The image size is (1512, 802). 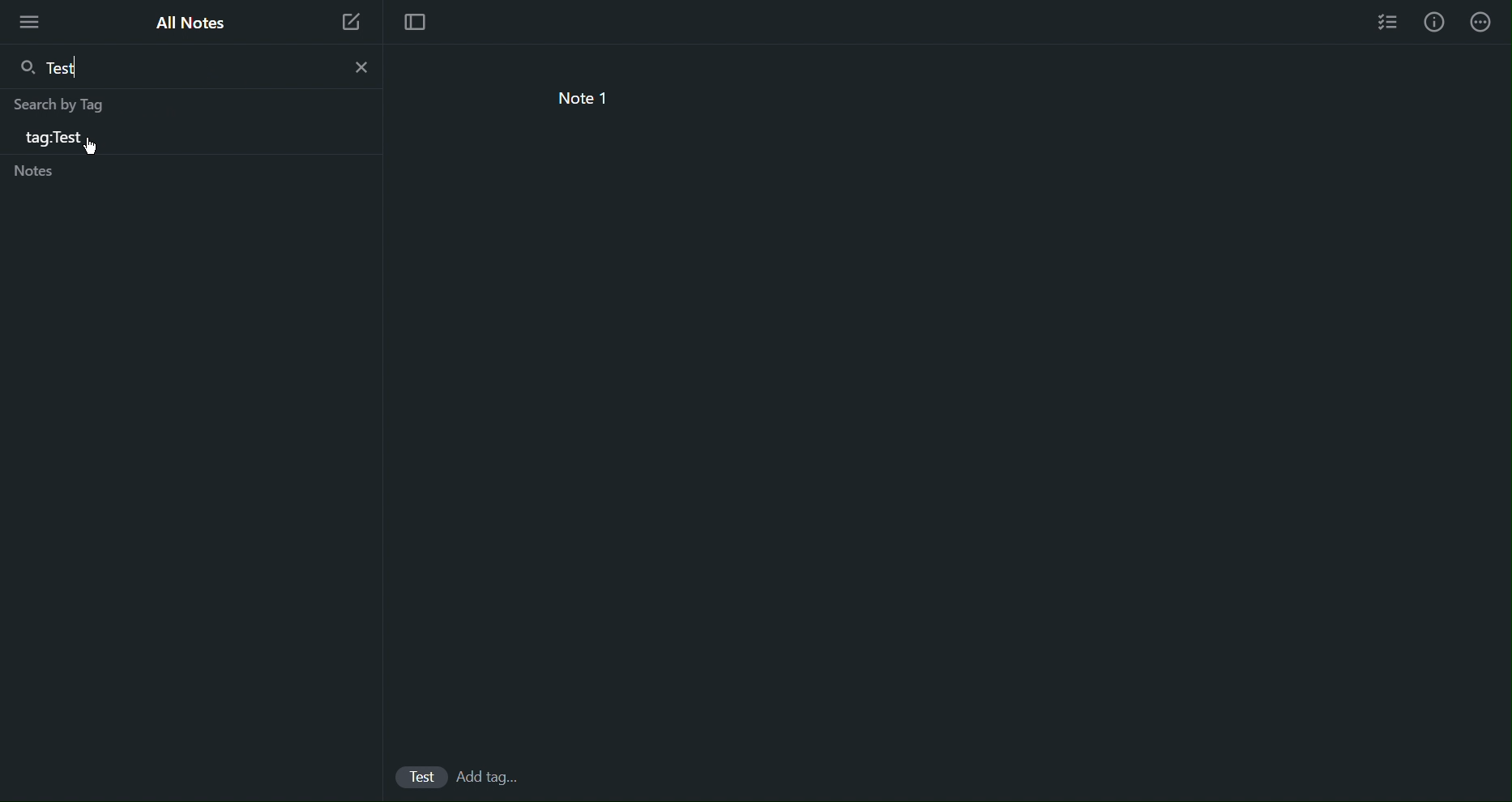 What do you see at coordinates (1384, 20) in the screenshot?
I see `Checklist` at bounding box center [1384, 20].